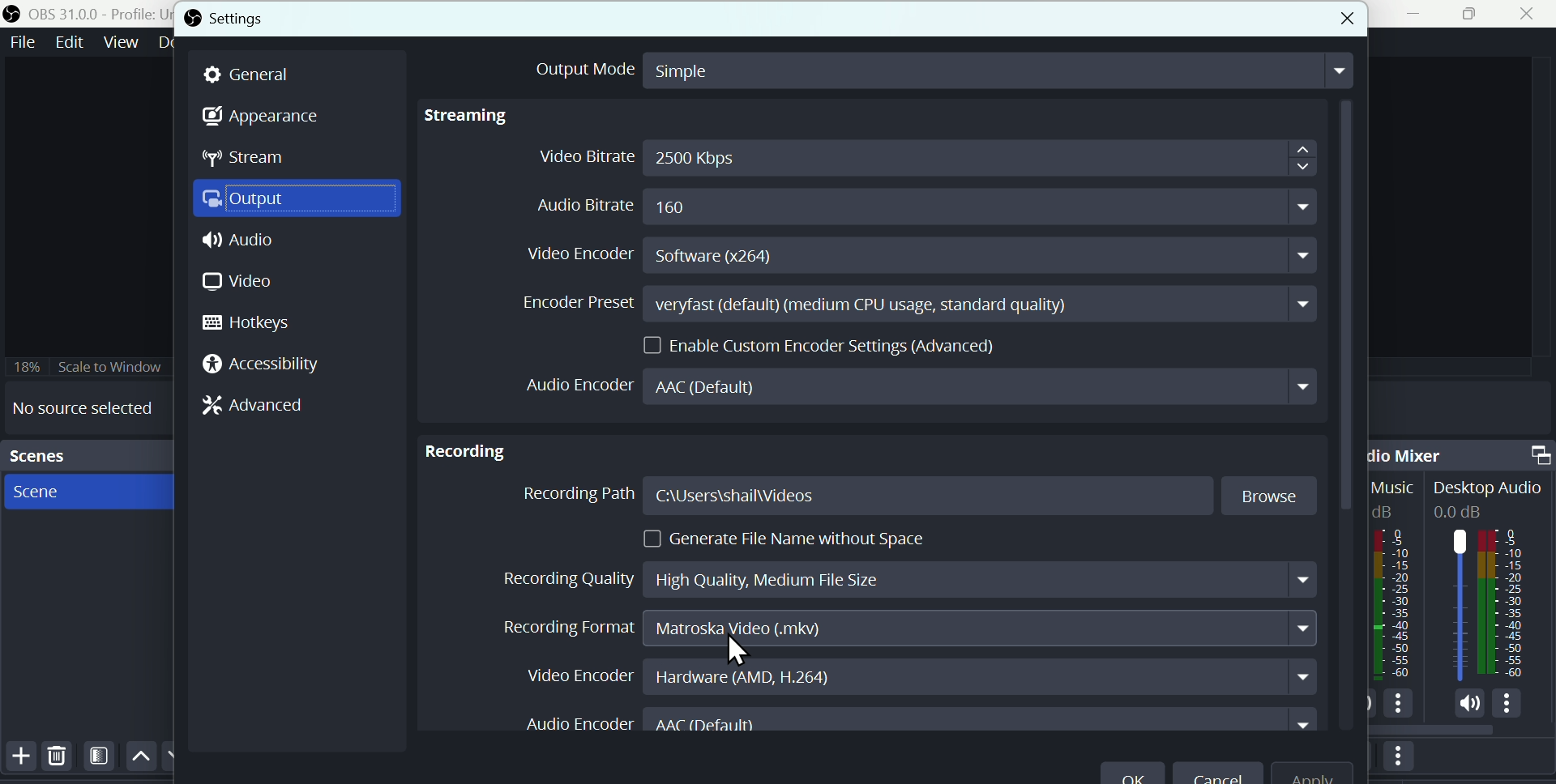  What do you see at coordinates (753, 538) in the screenshot?
I see `generate file name without space` at bounding box center [753, 538].